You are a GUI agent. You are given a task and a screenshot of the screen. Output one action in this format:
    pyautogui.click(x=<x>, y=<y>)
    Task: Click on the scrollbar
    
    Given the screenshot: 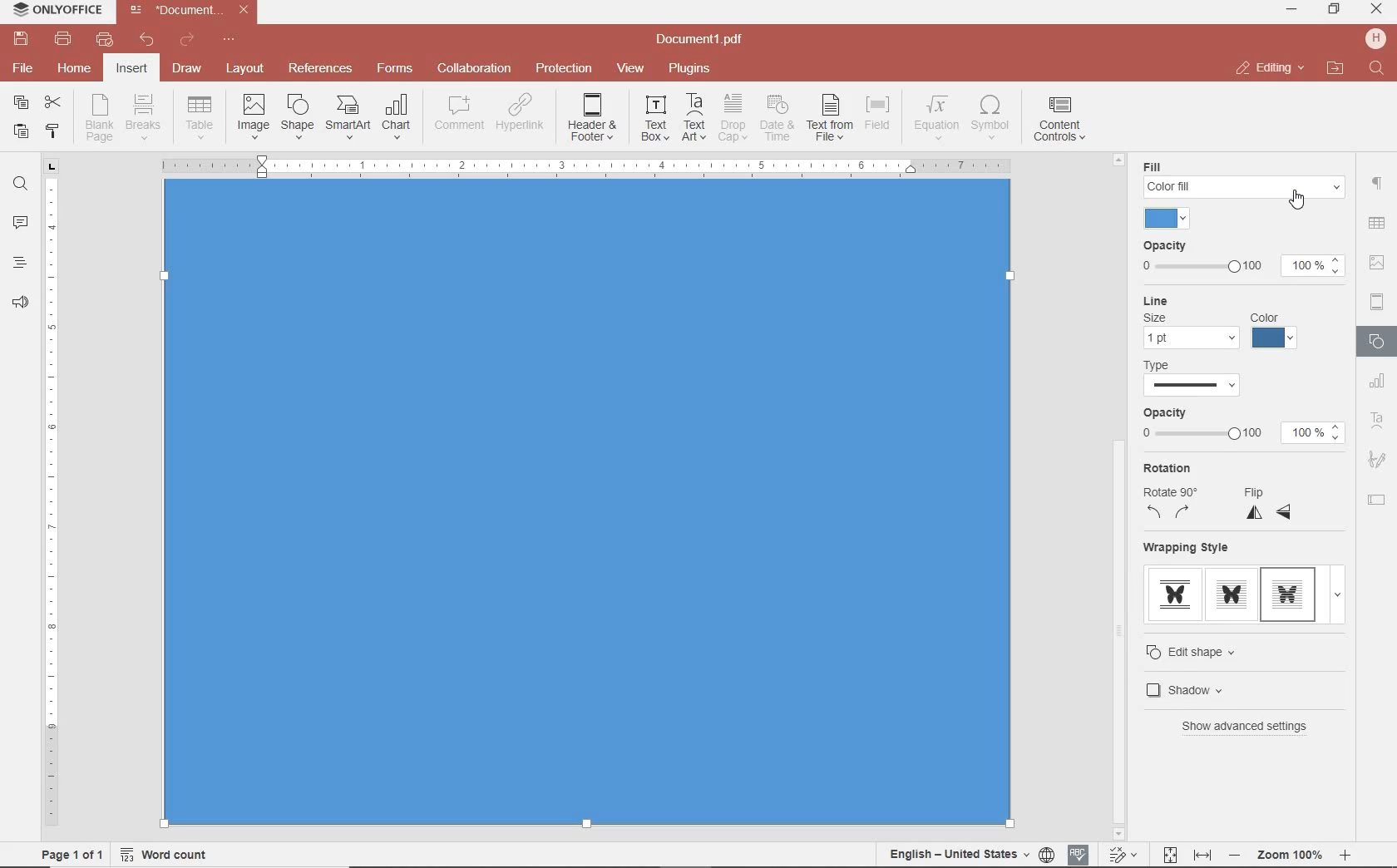 What is the action you would take?
    pyautogui.click(x=1354, y=644)
    